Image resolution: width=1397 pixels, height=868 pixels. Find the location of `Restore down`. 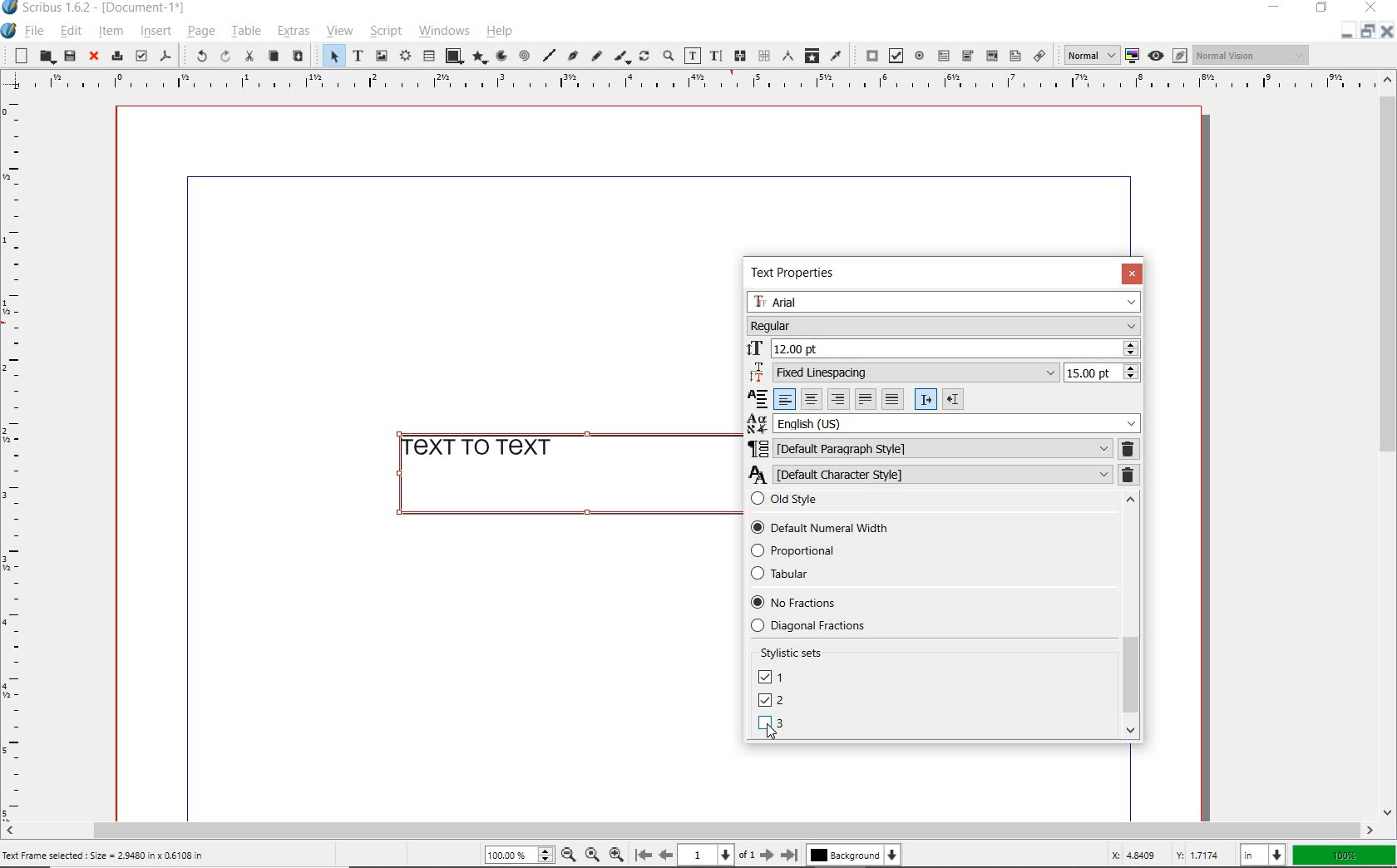

Restore down is located at coordinates (1345, 32).